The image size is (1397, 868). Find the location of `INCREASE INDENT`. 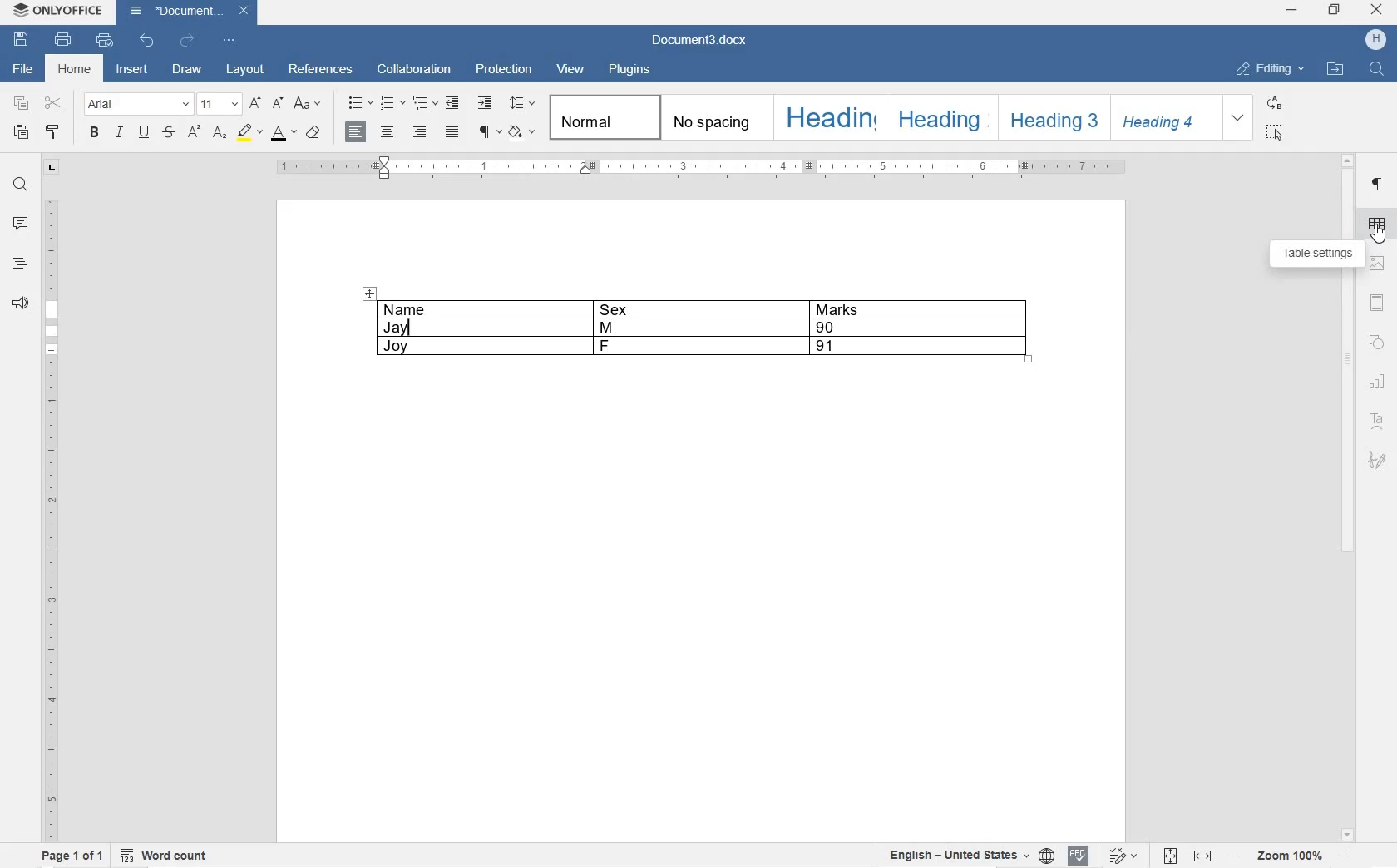

INCREASE INDENT is located at coordinates (484, 102).